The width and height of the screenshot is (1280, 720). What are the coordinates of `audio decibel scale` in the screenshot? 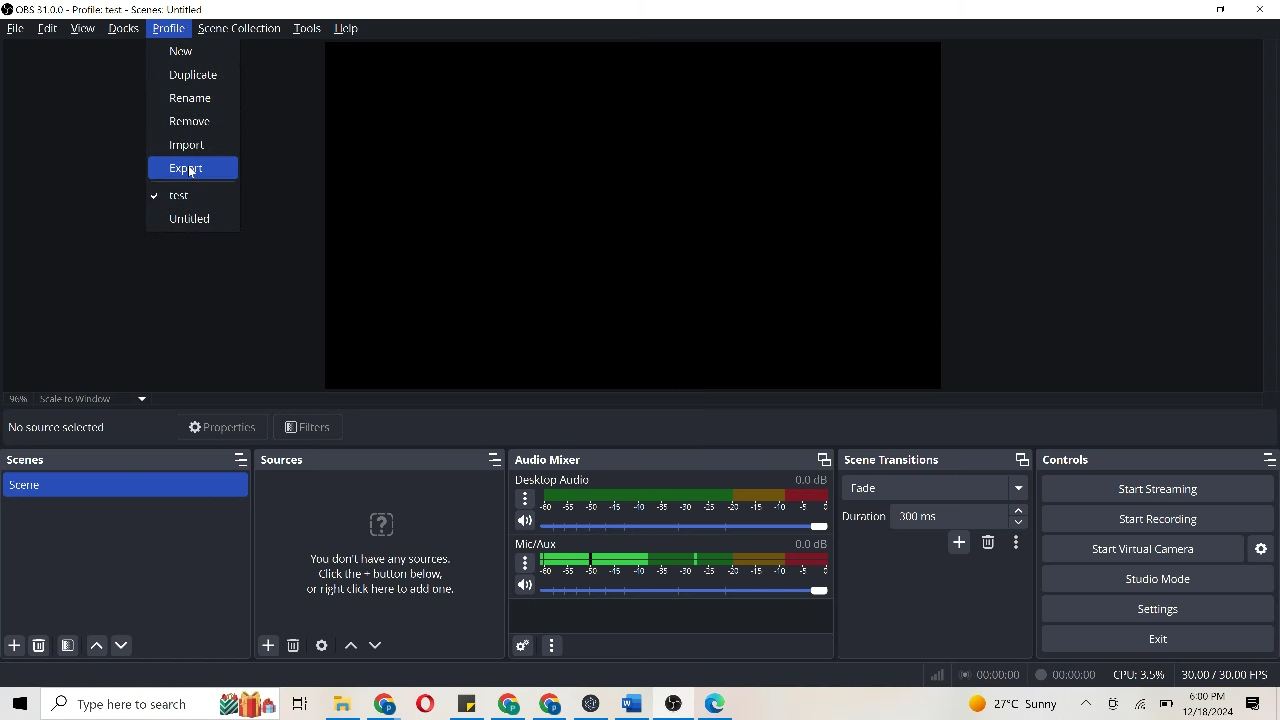 It's located at (687, 564).